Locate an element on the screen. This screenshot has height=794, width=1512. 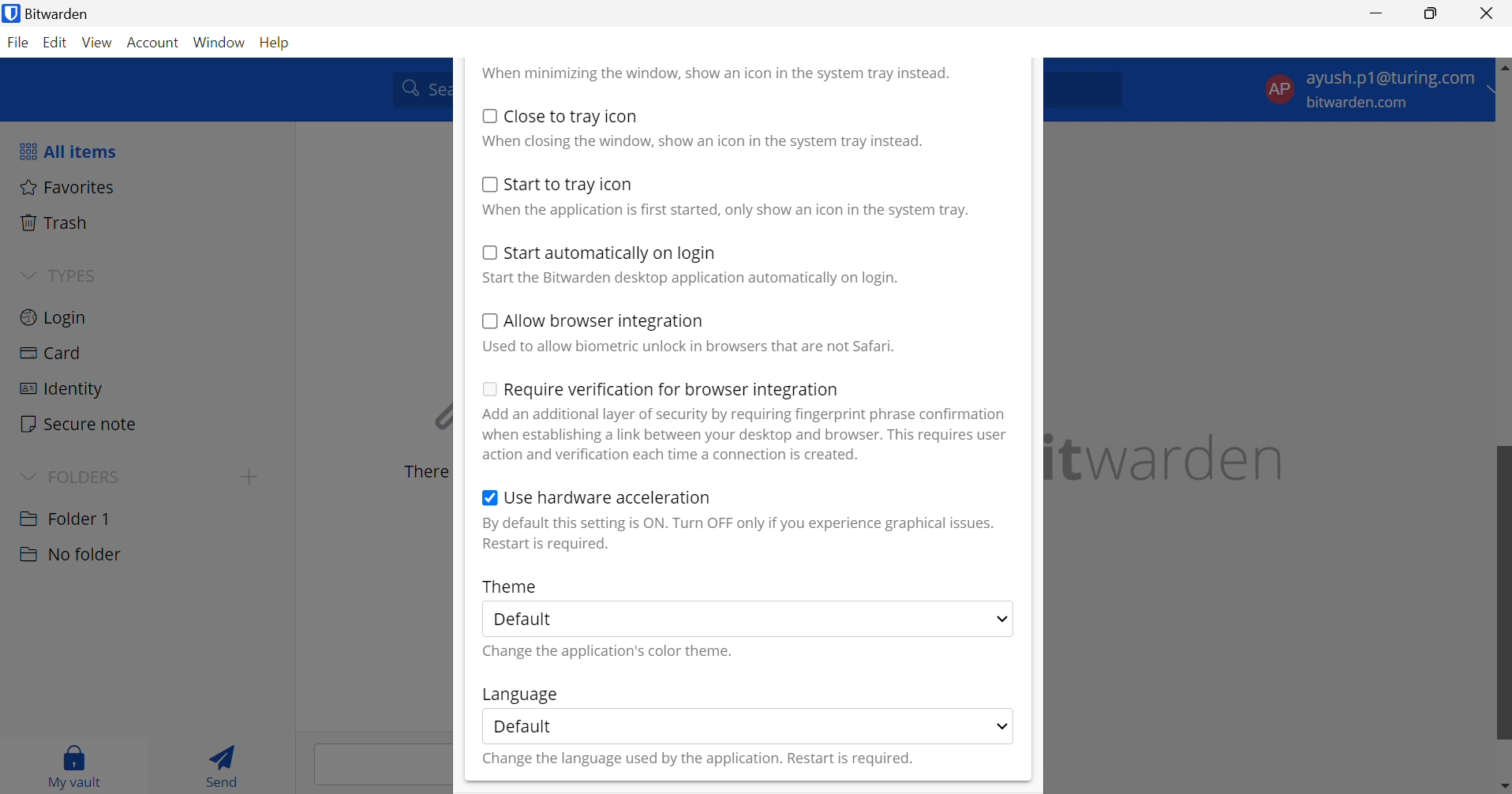
Require verification for browser intgretion is located at coordinates (672, 391).